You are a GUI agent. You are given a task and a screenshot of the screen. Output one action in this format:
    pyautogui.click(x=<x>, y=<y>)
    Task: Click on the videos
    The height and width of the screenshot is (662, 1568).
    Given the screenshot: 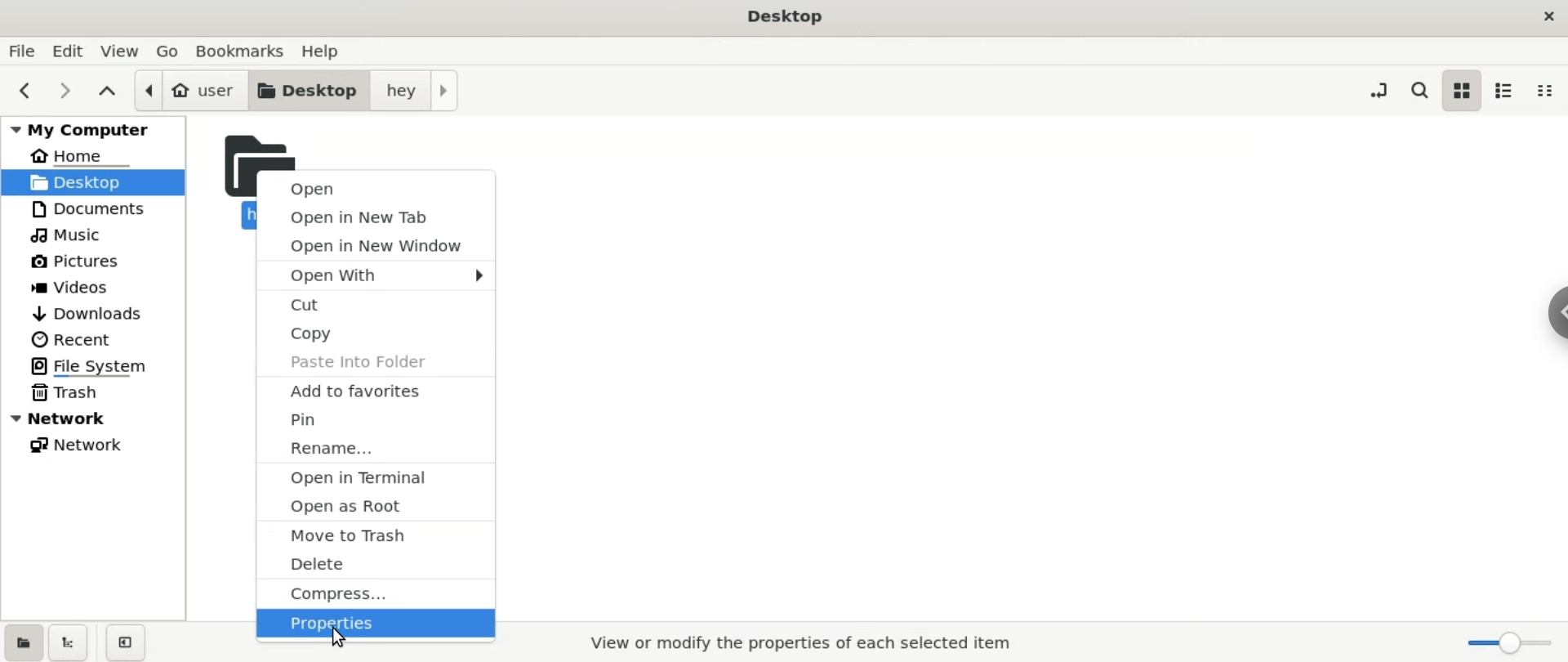 What is the action you would take?
    pyautogui.click(x=96, y=289)
    